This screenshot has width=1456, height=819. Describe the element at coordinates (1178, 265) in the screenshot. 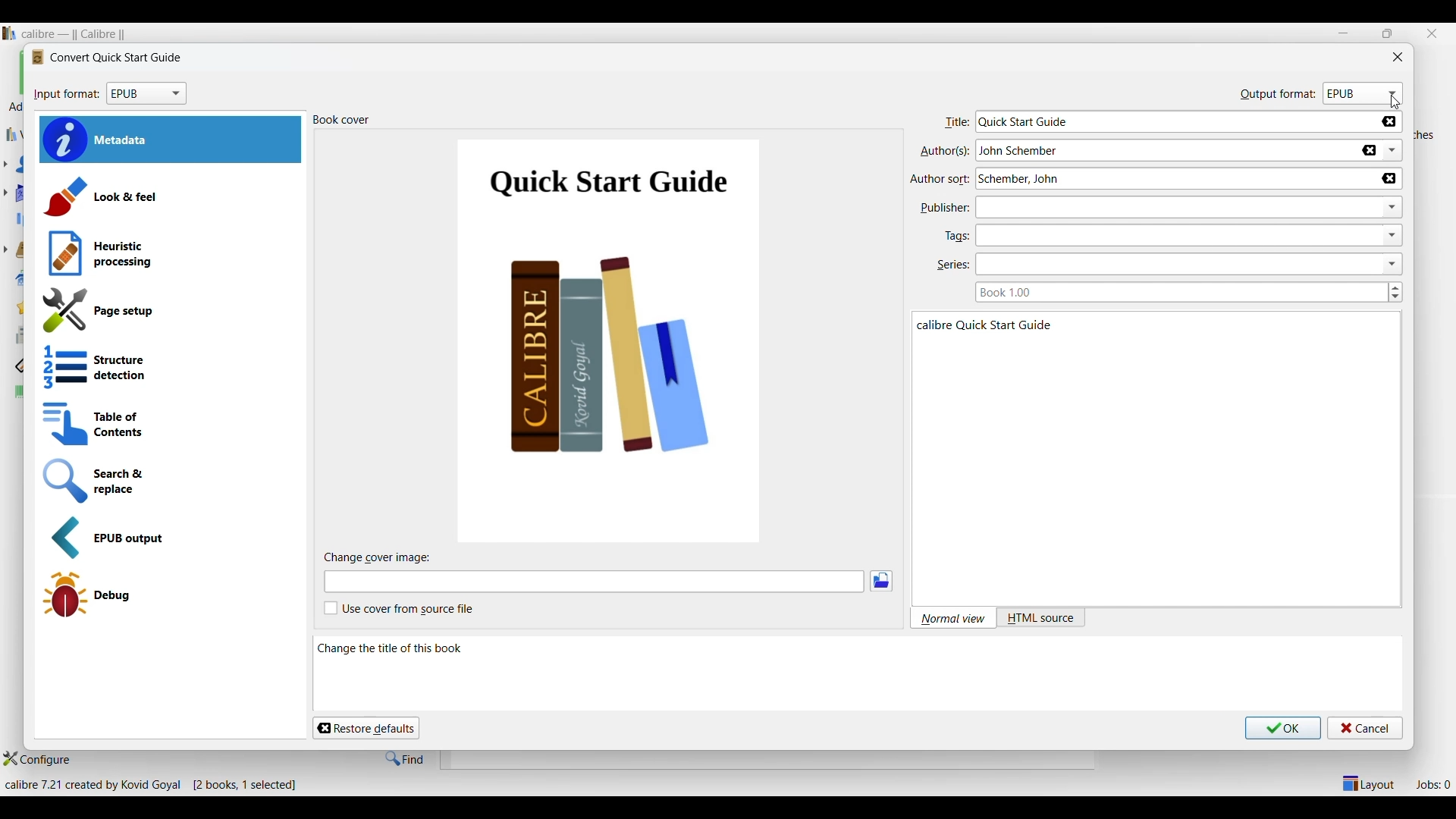

I see `Type in series` at that location.